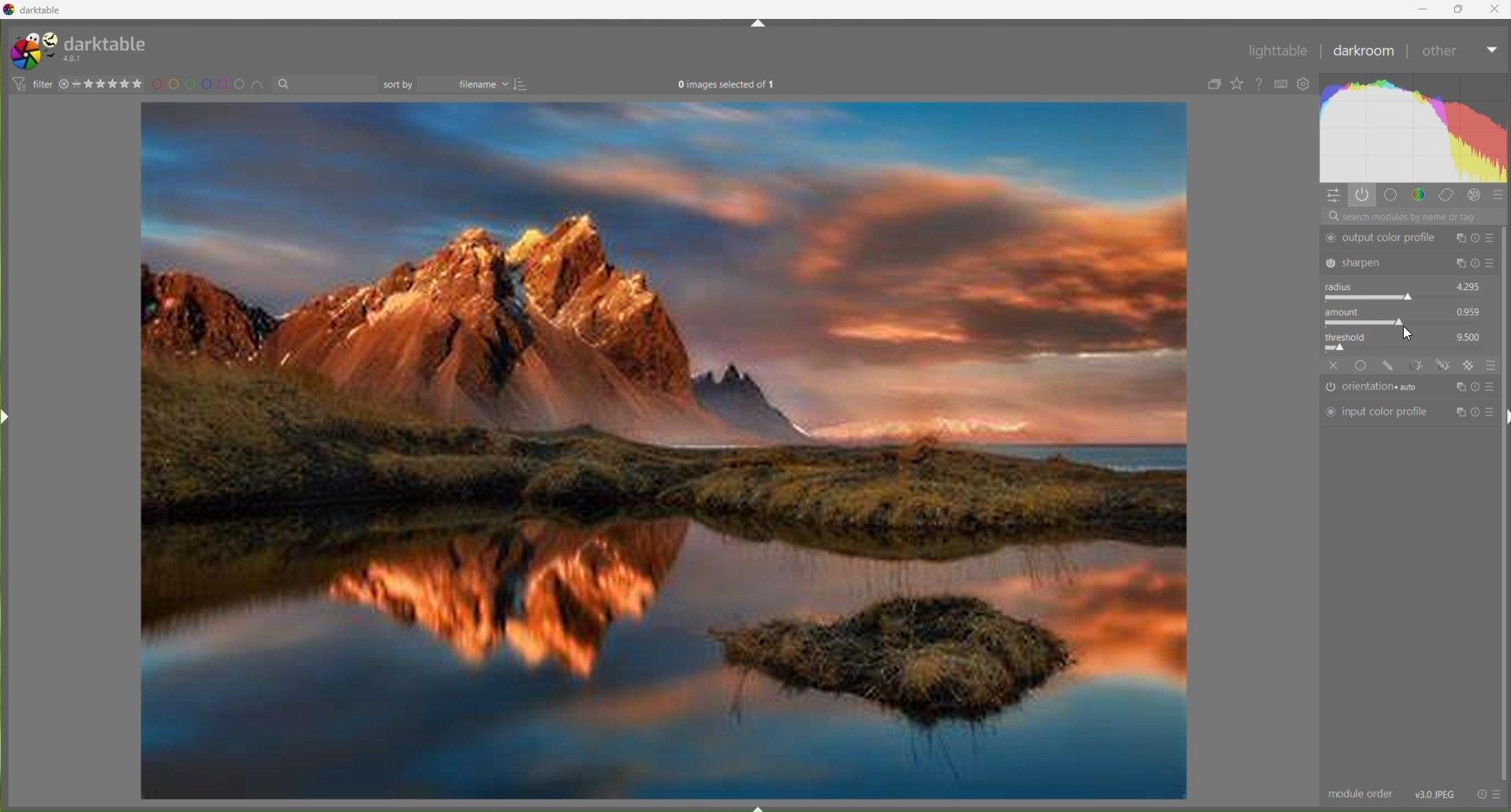  Describe the element at coordinates (1476, 413) in the screenshot. I see `copy, reset and presets` at that location.